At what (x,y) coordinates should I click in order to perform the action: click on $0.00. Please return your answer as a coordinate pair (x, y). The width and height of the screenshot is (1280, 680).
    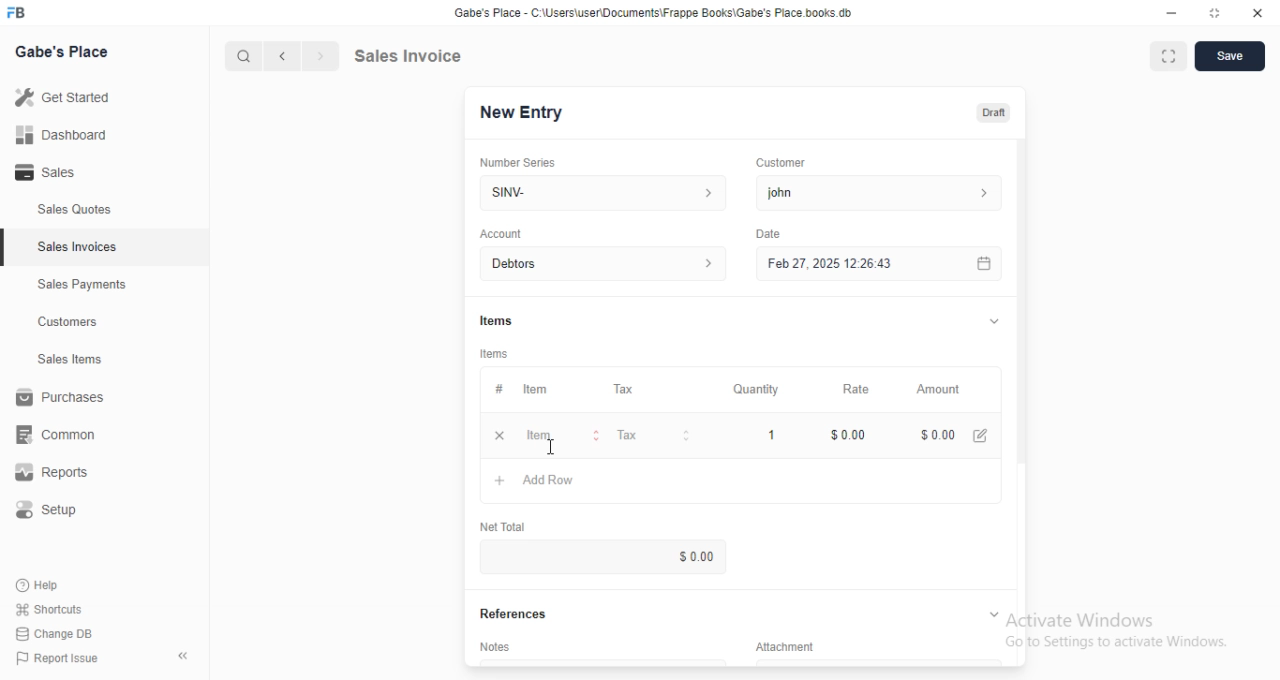
    Looking at the image, I should click on (849, 434).